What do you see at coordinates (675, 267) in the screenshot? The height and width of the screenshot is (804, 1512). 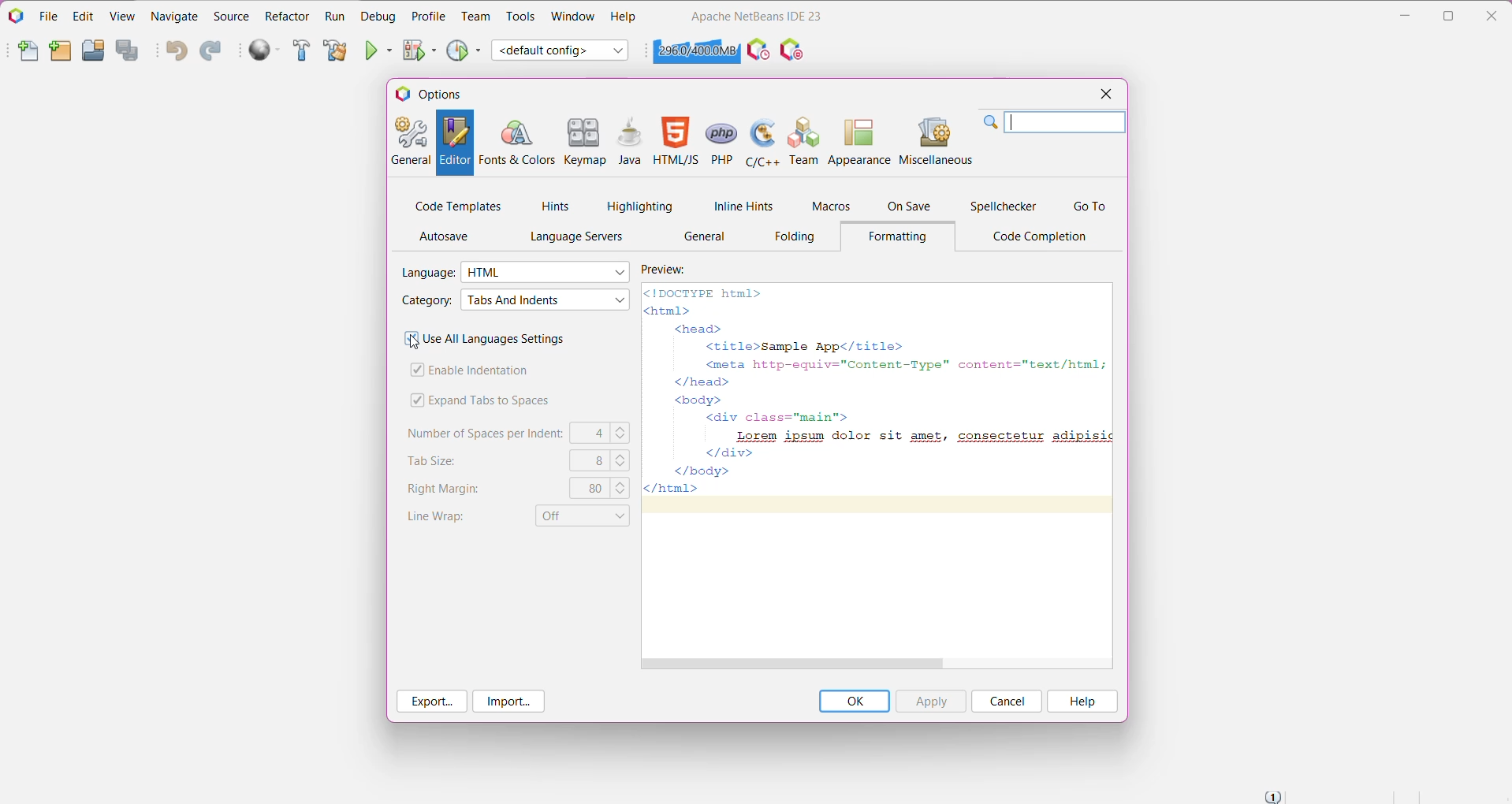 I see `Preview` at bounding box center [675, 267].